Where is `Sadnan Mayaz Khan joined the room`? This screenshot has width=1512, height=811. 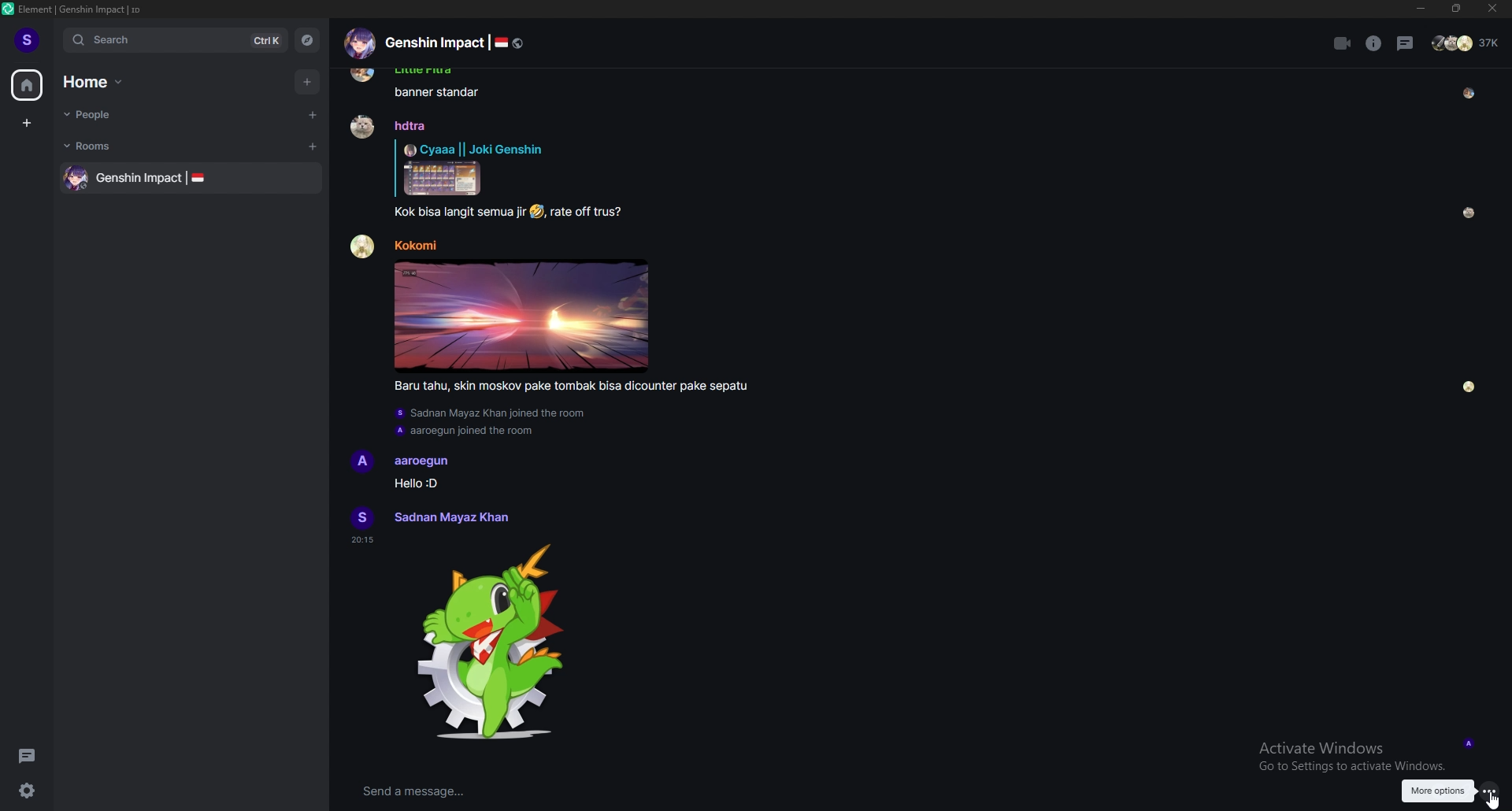
Sadnan Mayaz Khan joined the room is located at coordinates (491, 413).